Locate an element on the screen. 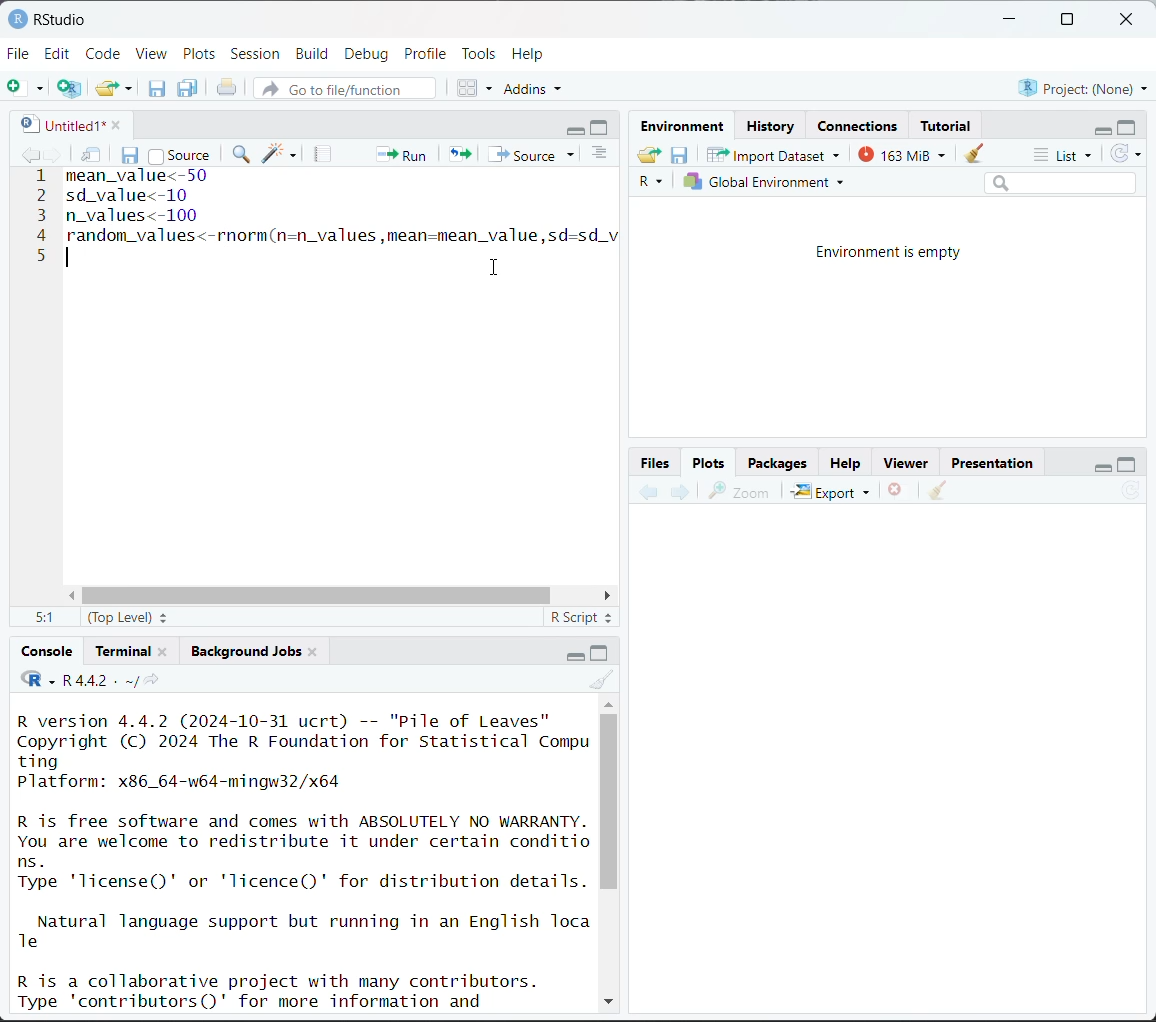 This screenshot has width=1156, height=1022. find/replace is located at coordinates (243, 156).